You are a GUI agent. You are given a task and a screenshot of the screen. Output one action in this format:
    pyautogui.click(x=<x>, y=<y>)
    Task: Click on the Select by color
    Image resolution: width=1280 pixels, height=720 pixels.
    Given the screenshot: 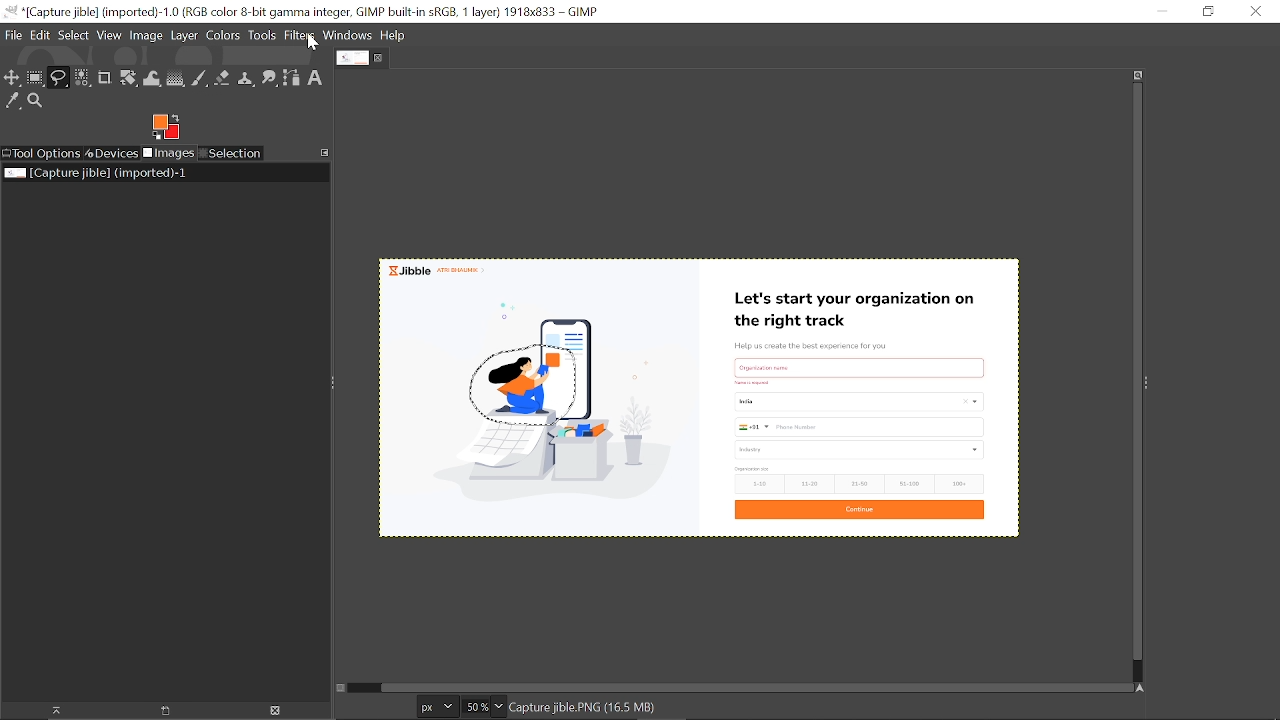 What is the action you would take?
    pyautogui.click(x=82, y=79)
    